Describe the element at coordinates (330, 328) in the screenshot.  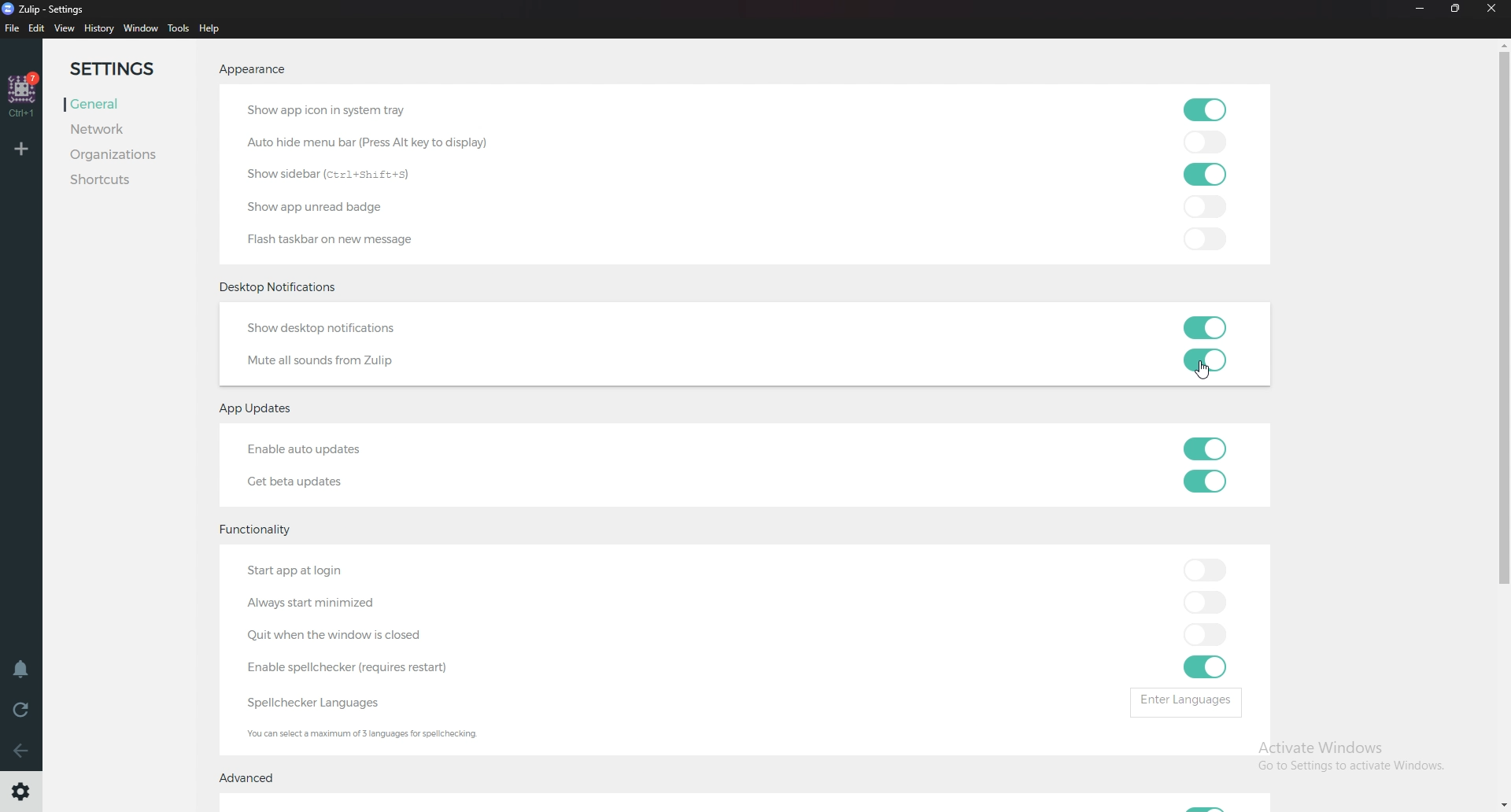
I see `Show desktop notifications` at that location.